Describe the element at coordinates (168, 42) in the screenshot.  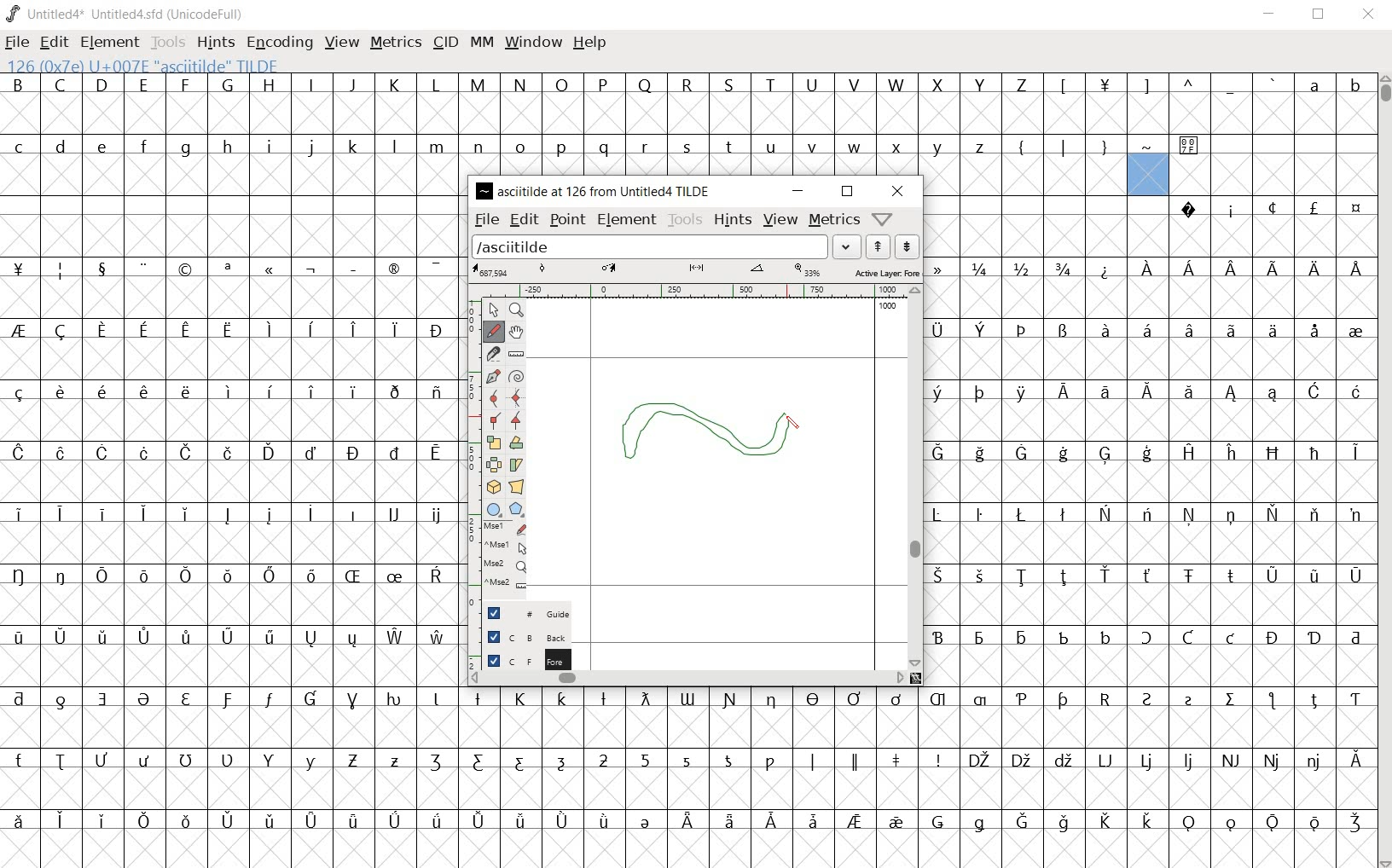
I see `TOOLS` at that location.